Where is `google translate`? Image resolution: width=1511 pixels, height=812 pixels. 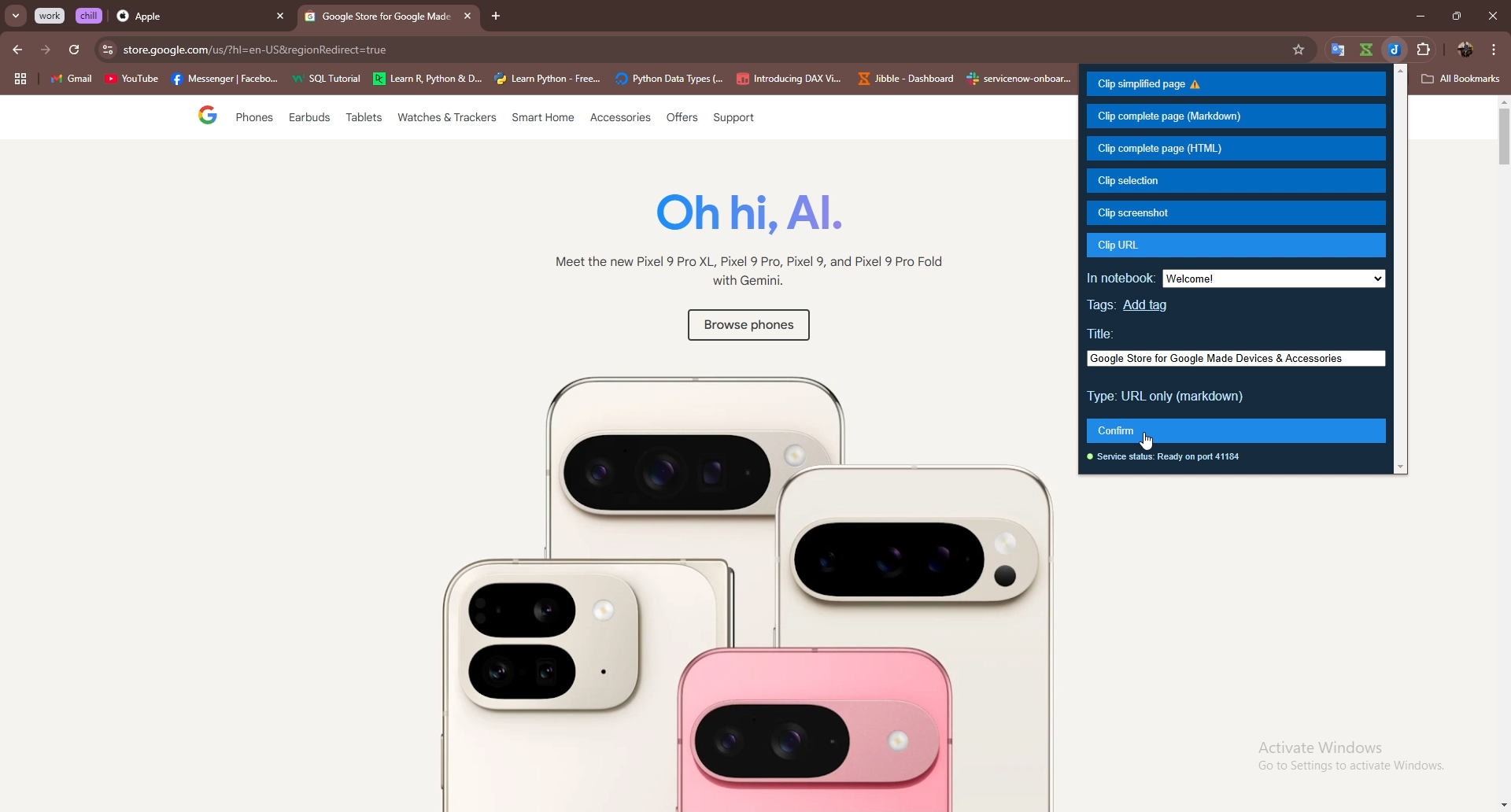 google translate is located at coordinates (1335, 50).